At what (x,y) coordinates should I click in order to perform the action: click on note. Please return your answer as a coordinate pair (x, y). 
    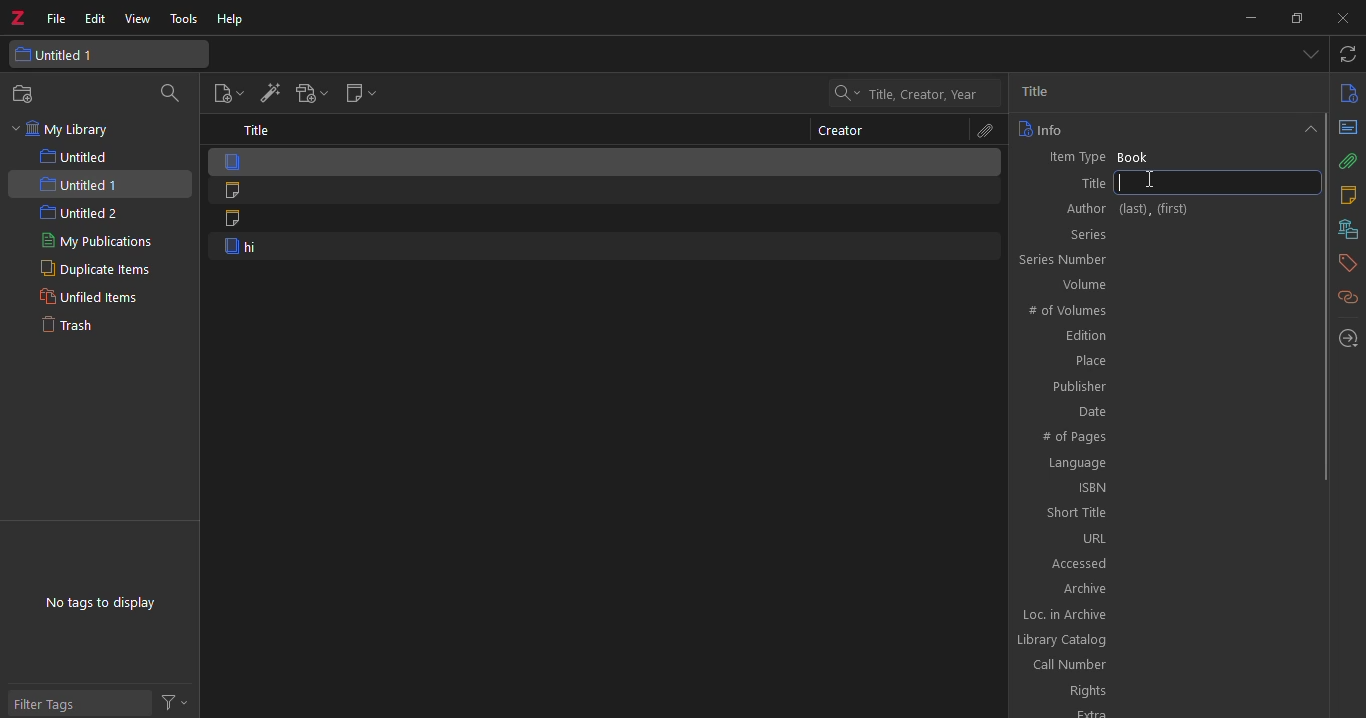
    Looking at the image, I should click on (604, 221).